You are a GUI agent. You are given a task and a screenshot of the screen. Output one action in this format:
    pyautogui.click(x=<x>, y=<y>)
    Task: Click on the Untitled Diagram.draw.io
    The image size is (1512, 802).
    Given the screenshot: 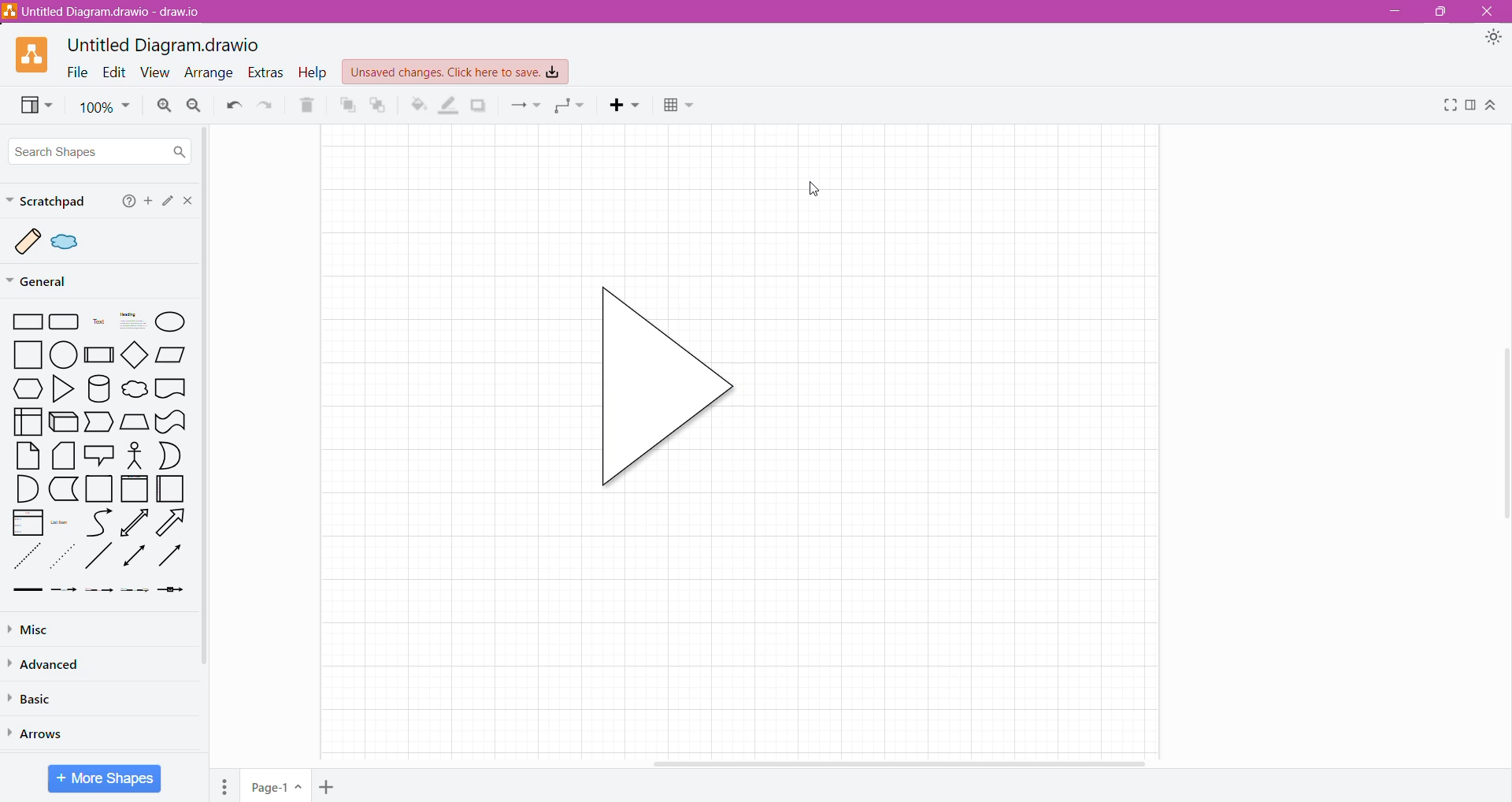 What is the action you would take?
    pyautogui.click(x=164, y=46)
    